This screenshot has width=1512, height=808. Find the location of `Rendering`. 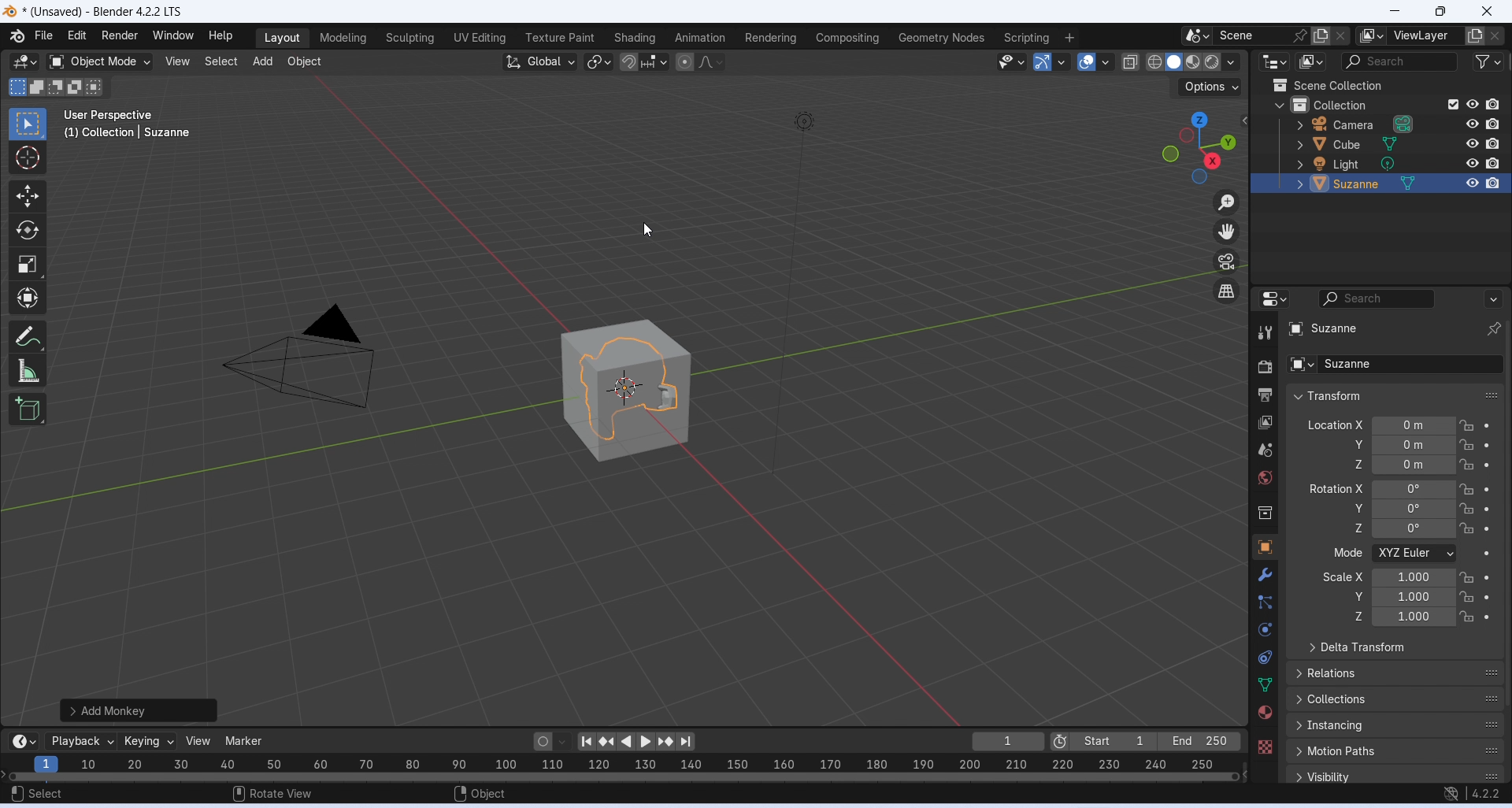

Rendering is located at coordinates (771, 38).